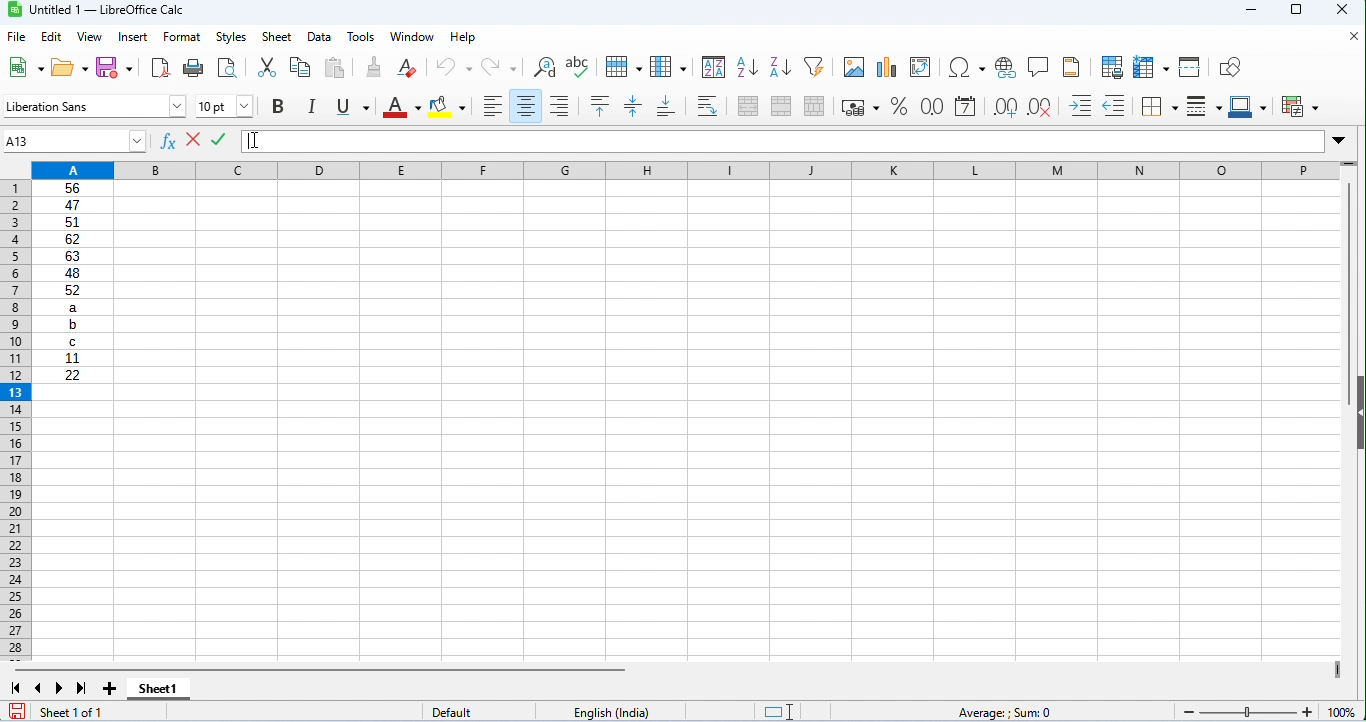  I want to click on data, so click(319, 38).